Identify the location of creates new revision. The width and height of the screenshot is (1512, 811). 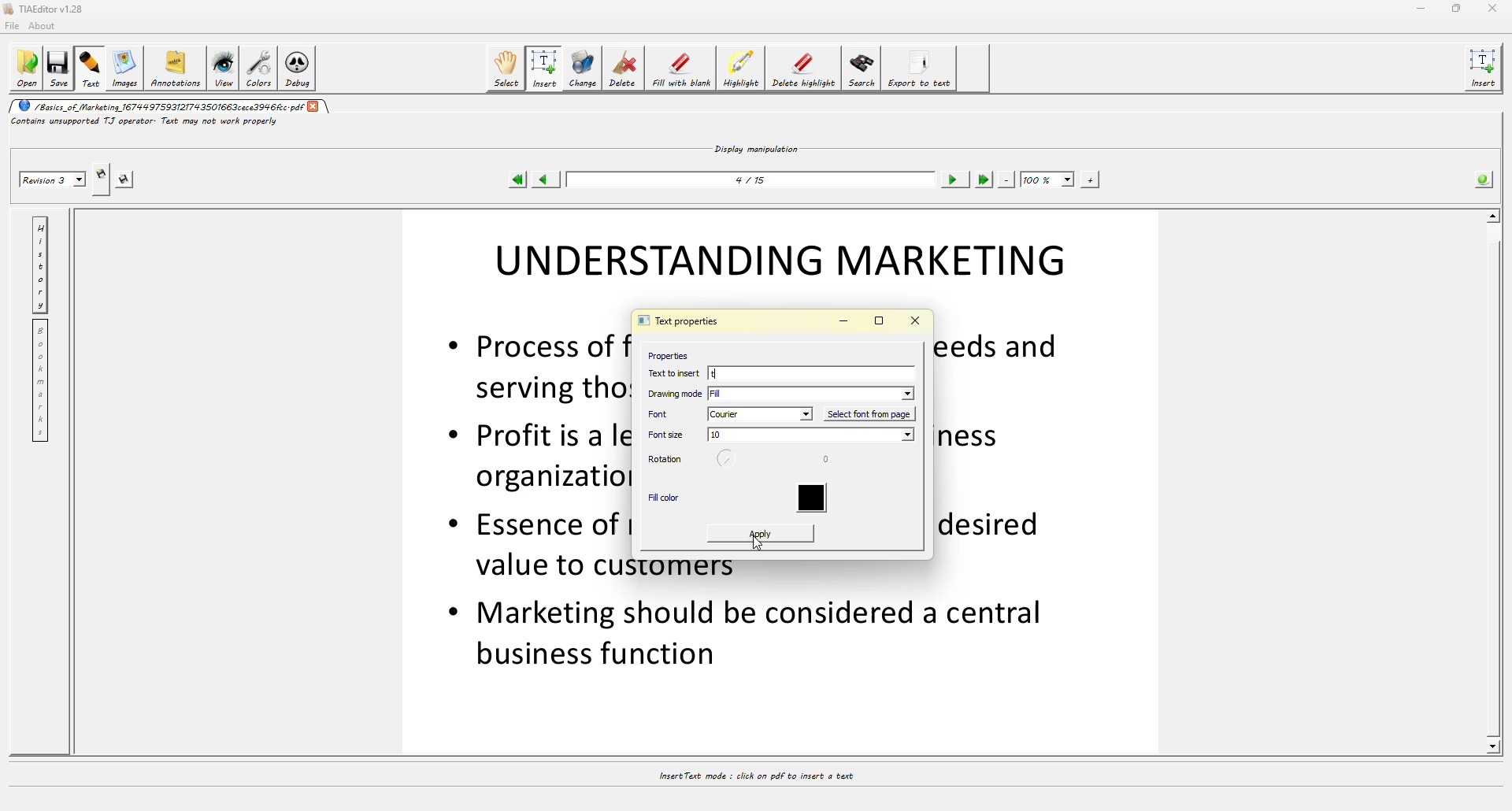
(100, 172).